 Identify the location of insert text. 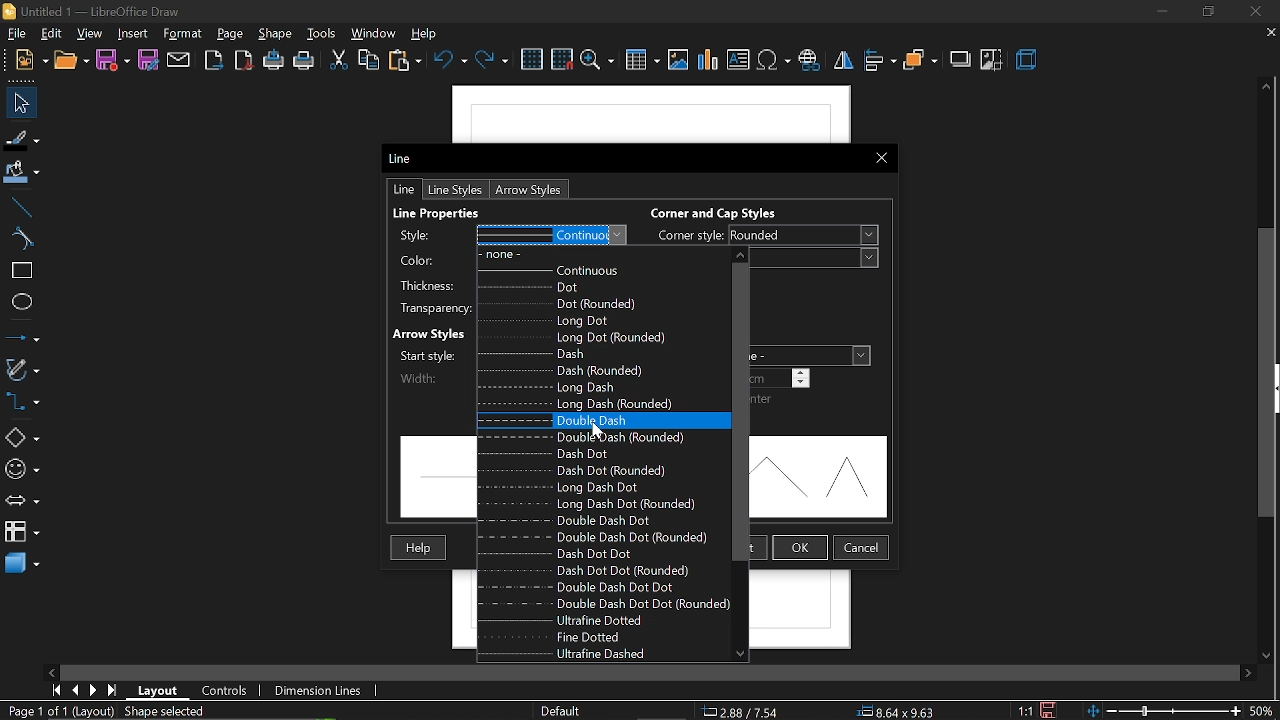
(738, 60).